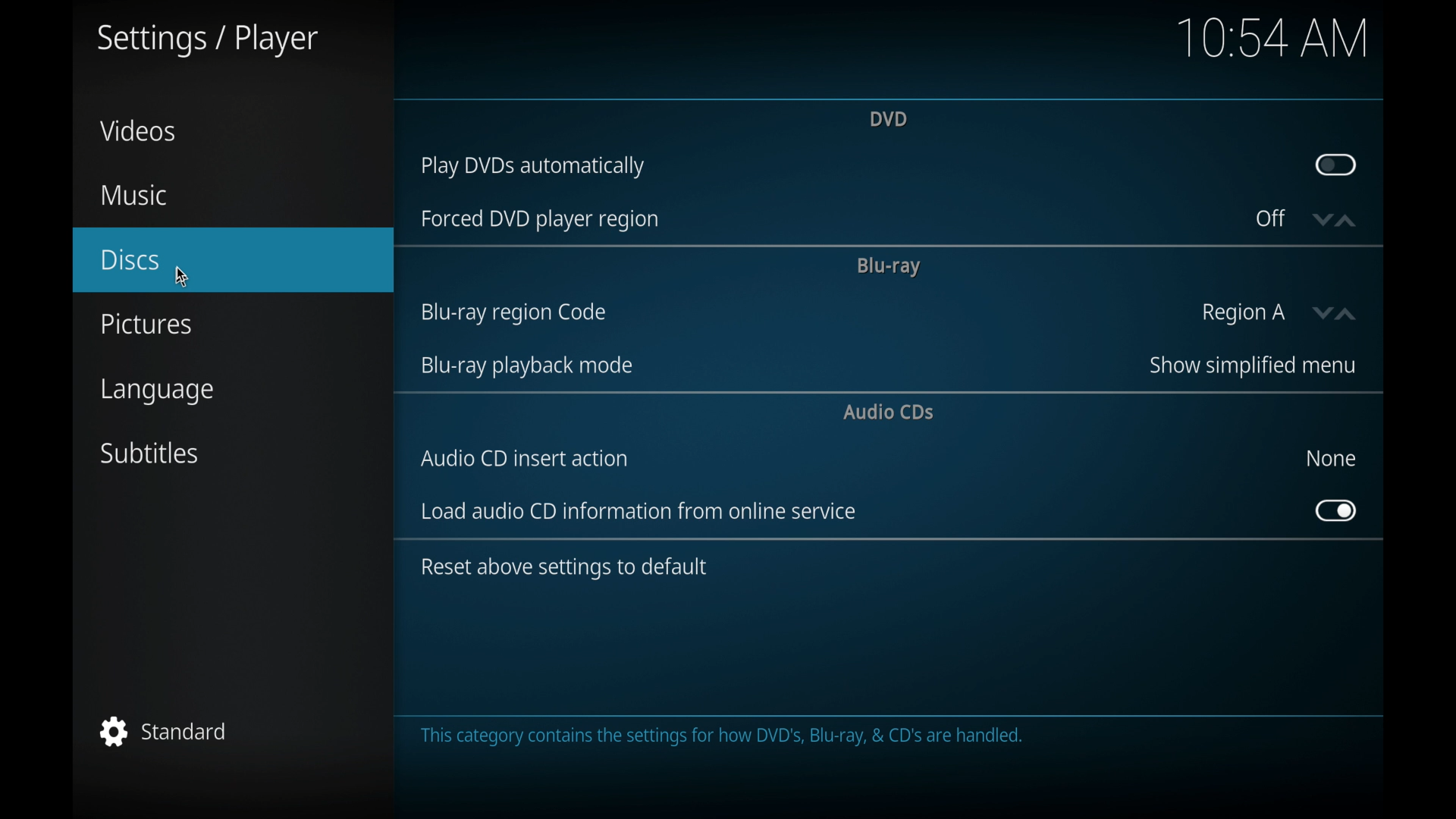 Image resolution: width=1456 pixels, height=819 pixels. I want to click on videos, so click(138, 130).